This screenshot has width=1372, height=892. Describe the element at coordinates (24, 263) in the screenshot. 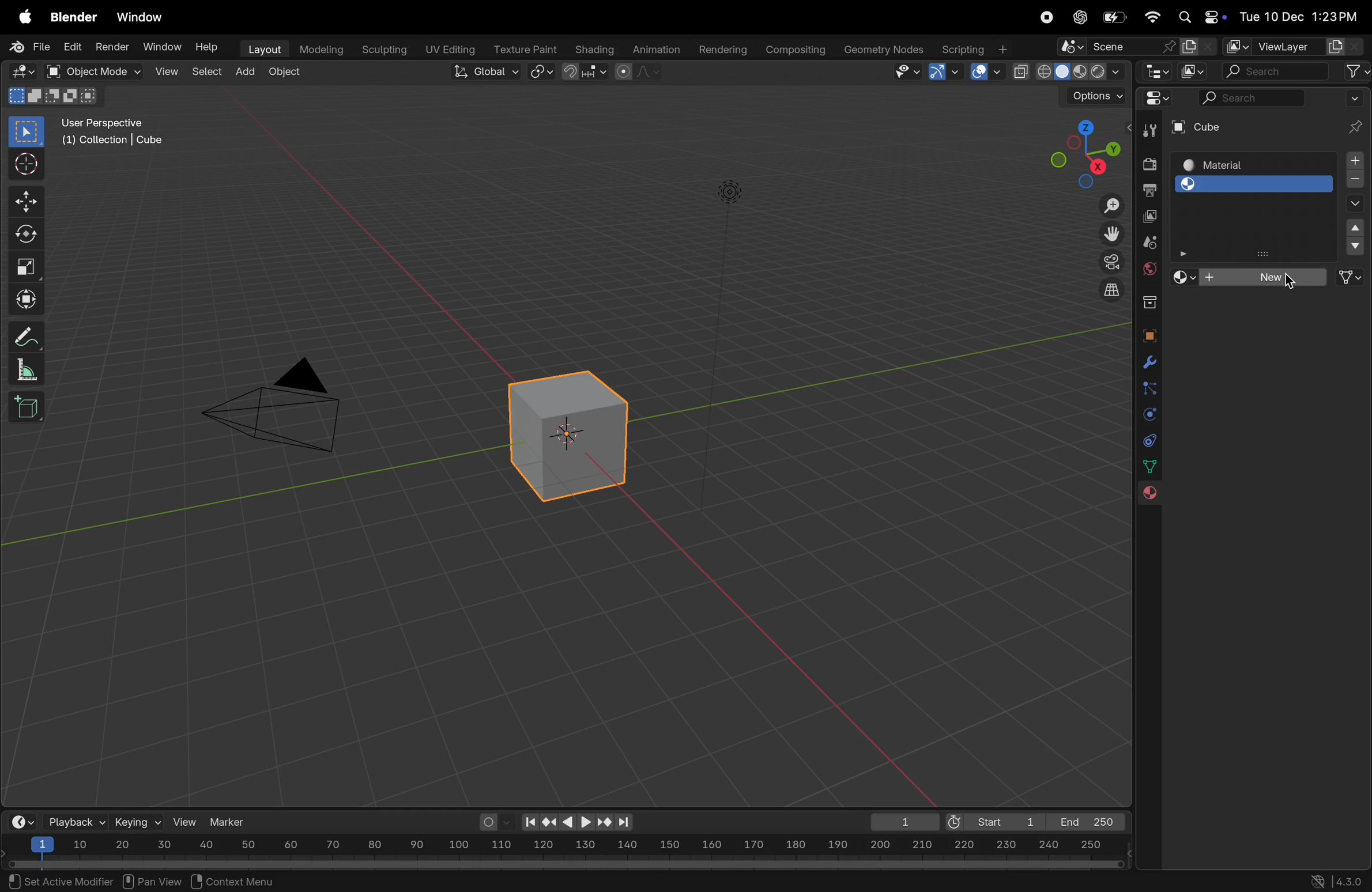

I see `scale` at that location.